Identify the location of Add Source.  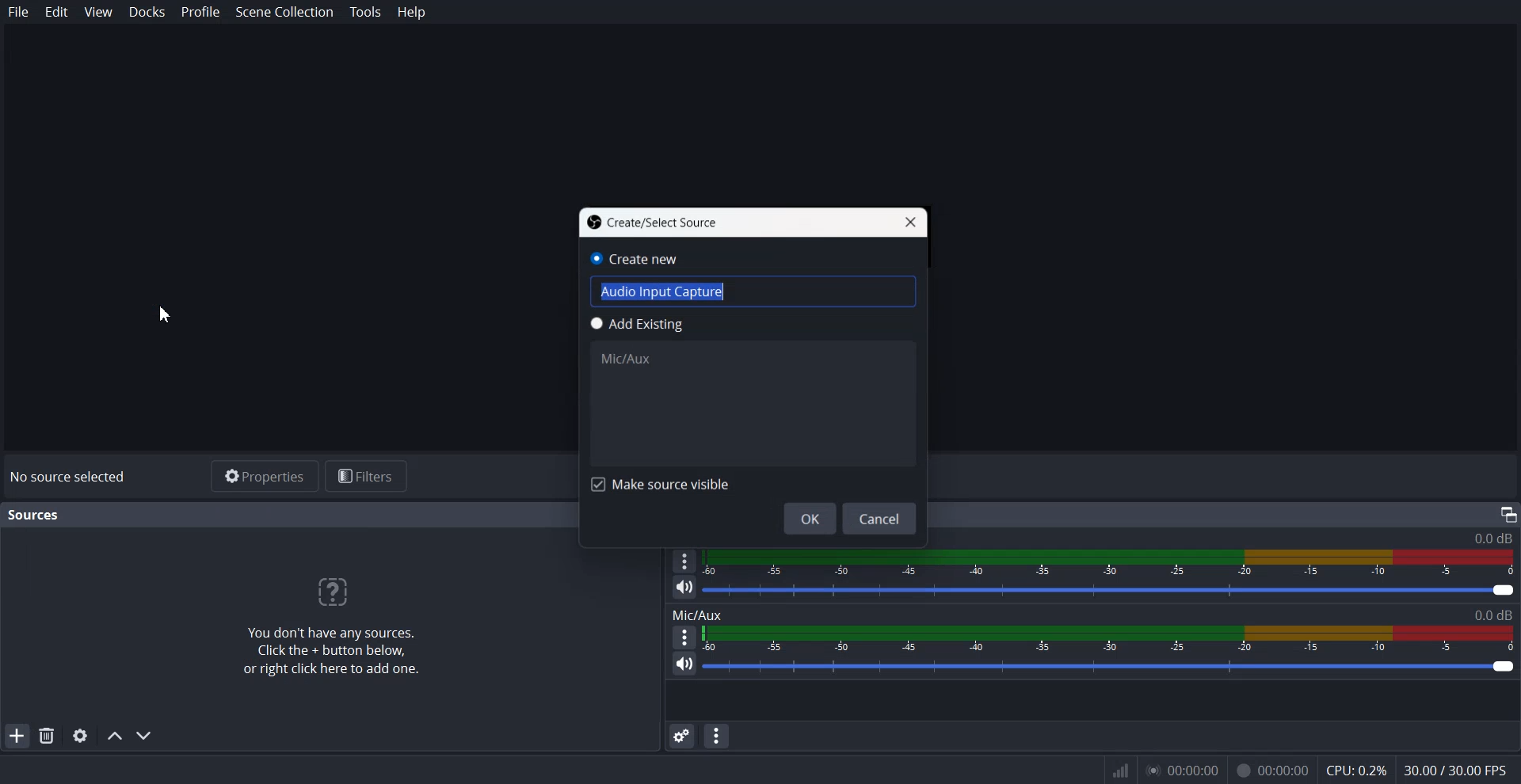
(17, 735).